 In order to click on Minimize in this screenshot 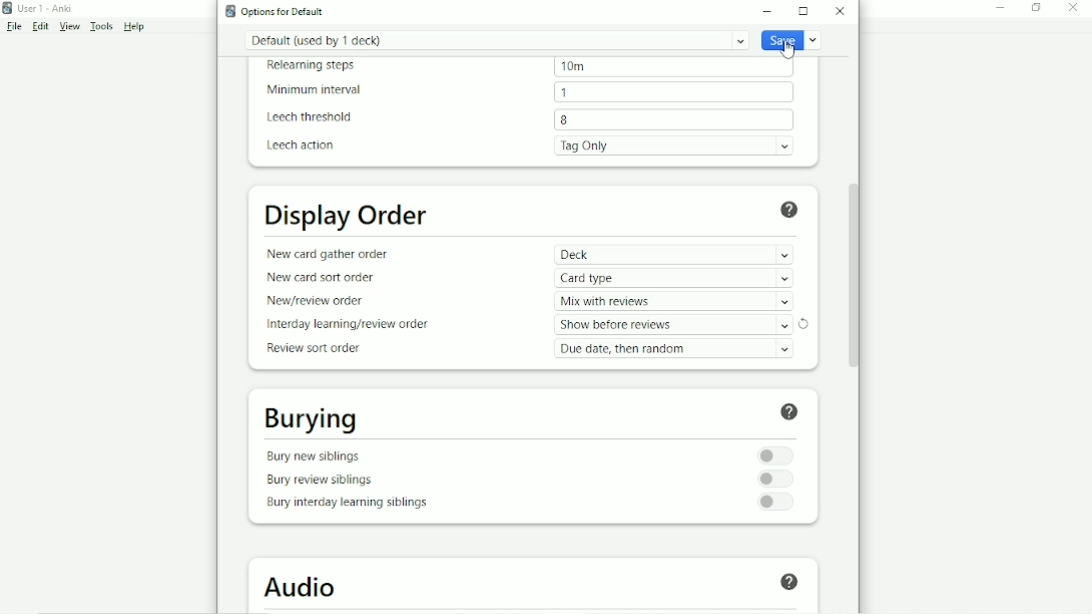, I will do `click(1001, 9)`.